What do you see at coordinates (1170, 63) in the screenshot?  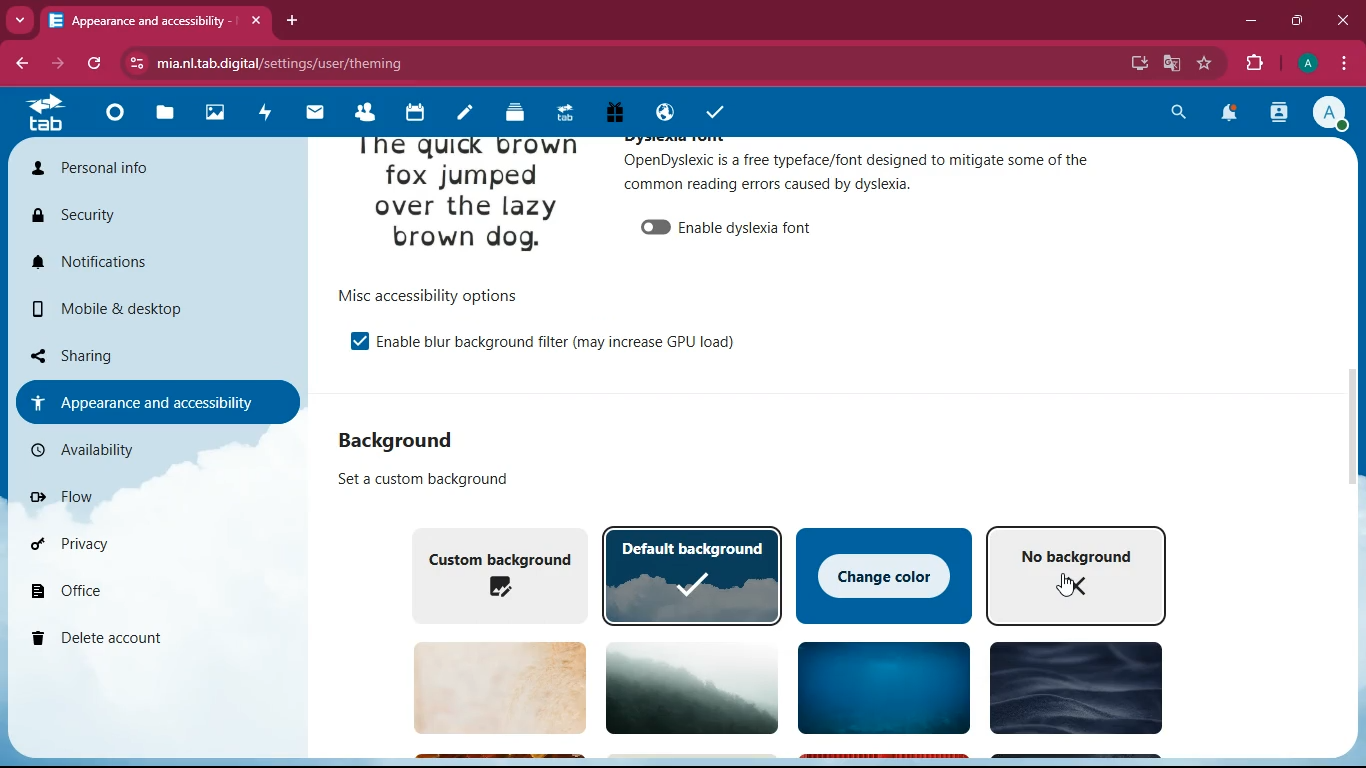 I see `google translate` at bounding box center [1170, 63].